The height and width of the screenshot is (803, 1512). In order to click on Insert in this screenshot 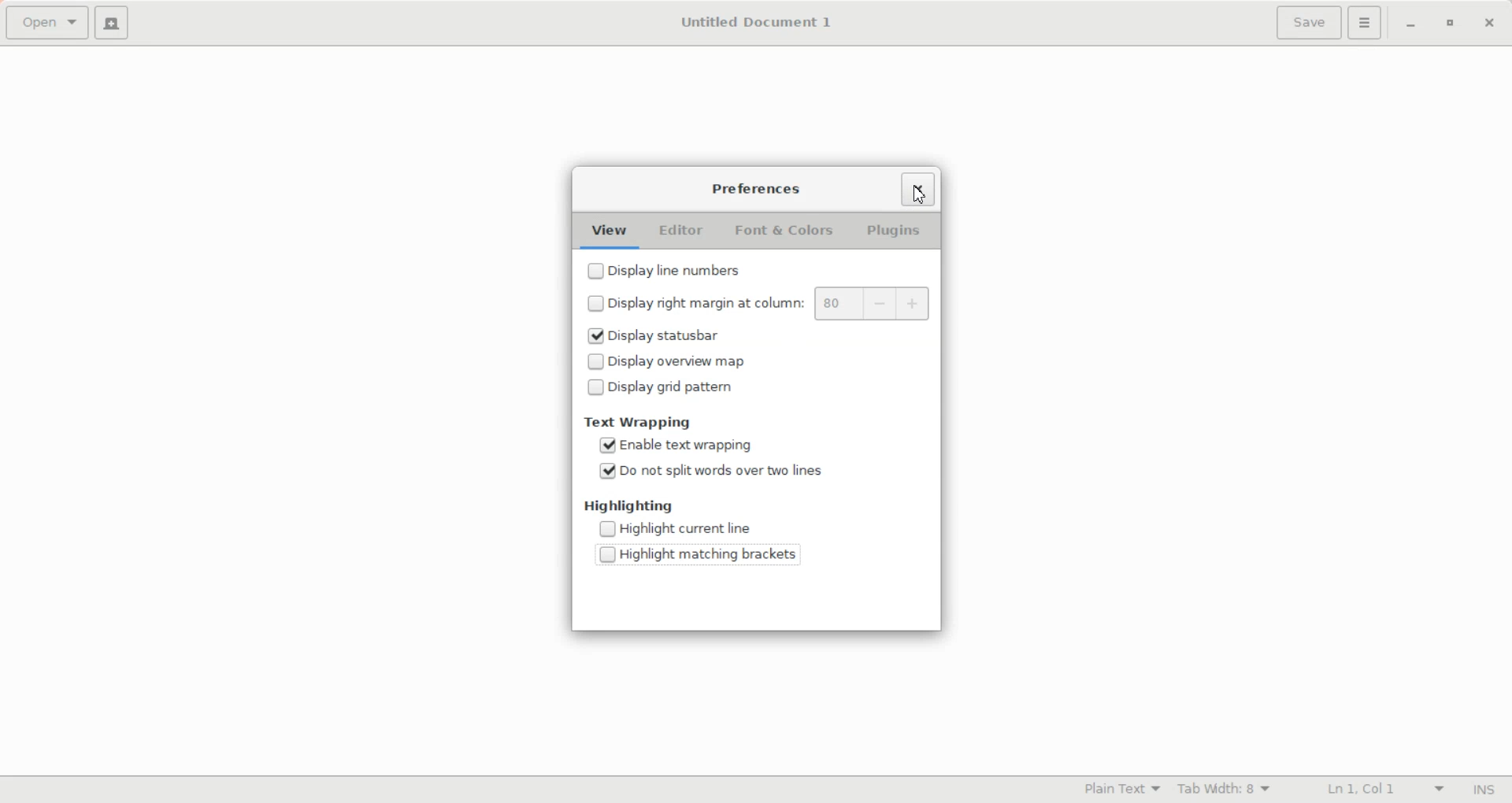, I will do `click(1479, 790)`.